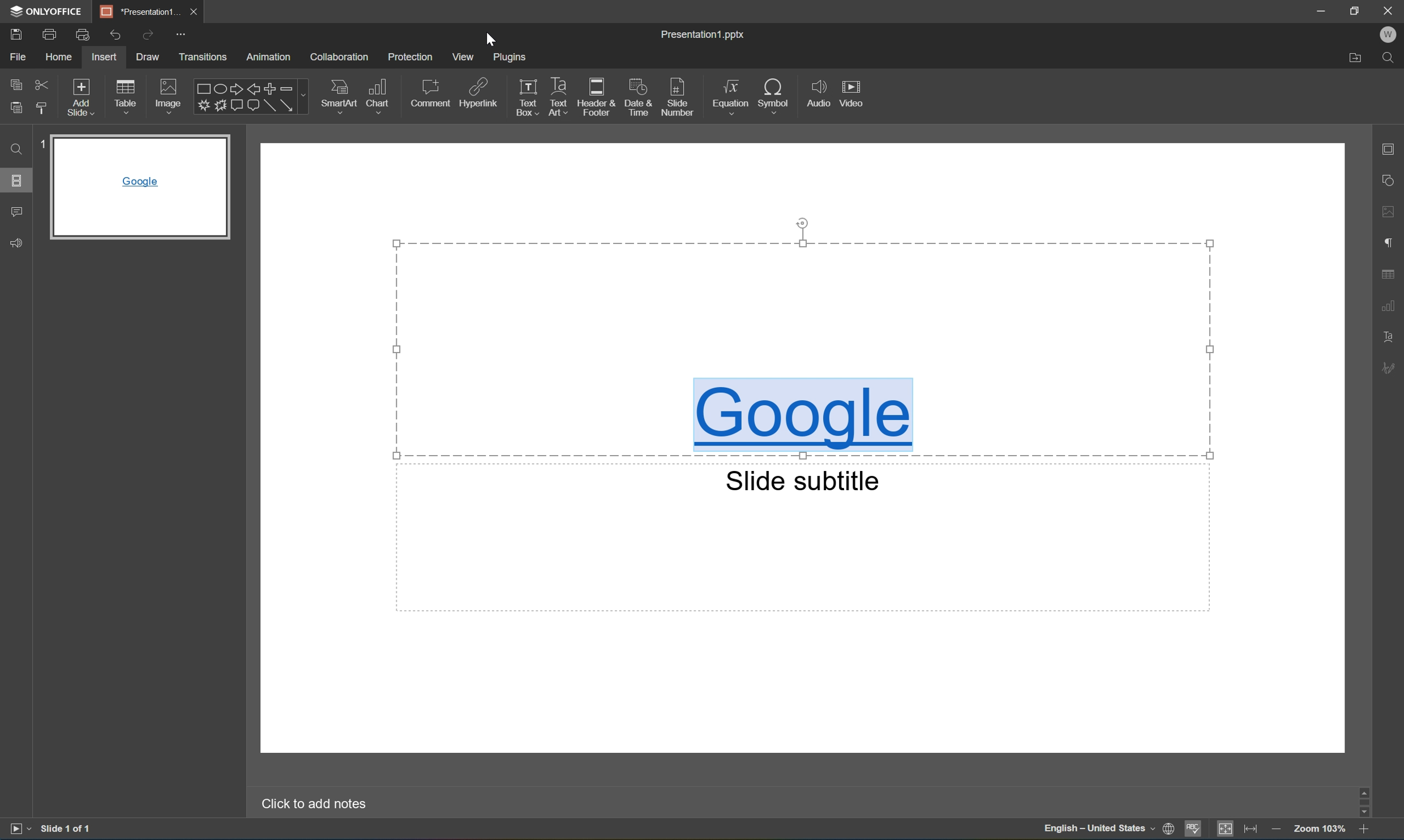 The image size is (1404, 840). I want to click on Shape settings, so click(1390, 181).